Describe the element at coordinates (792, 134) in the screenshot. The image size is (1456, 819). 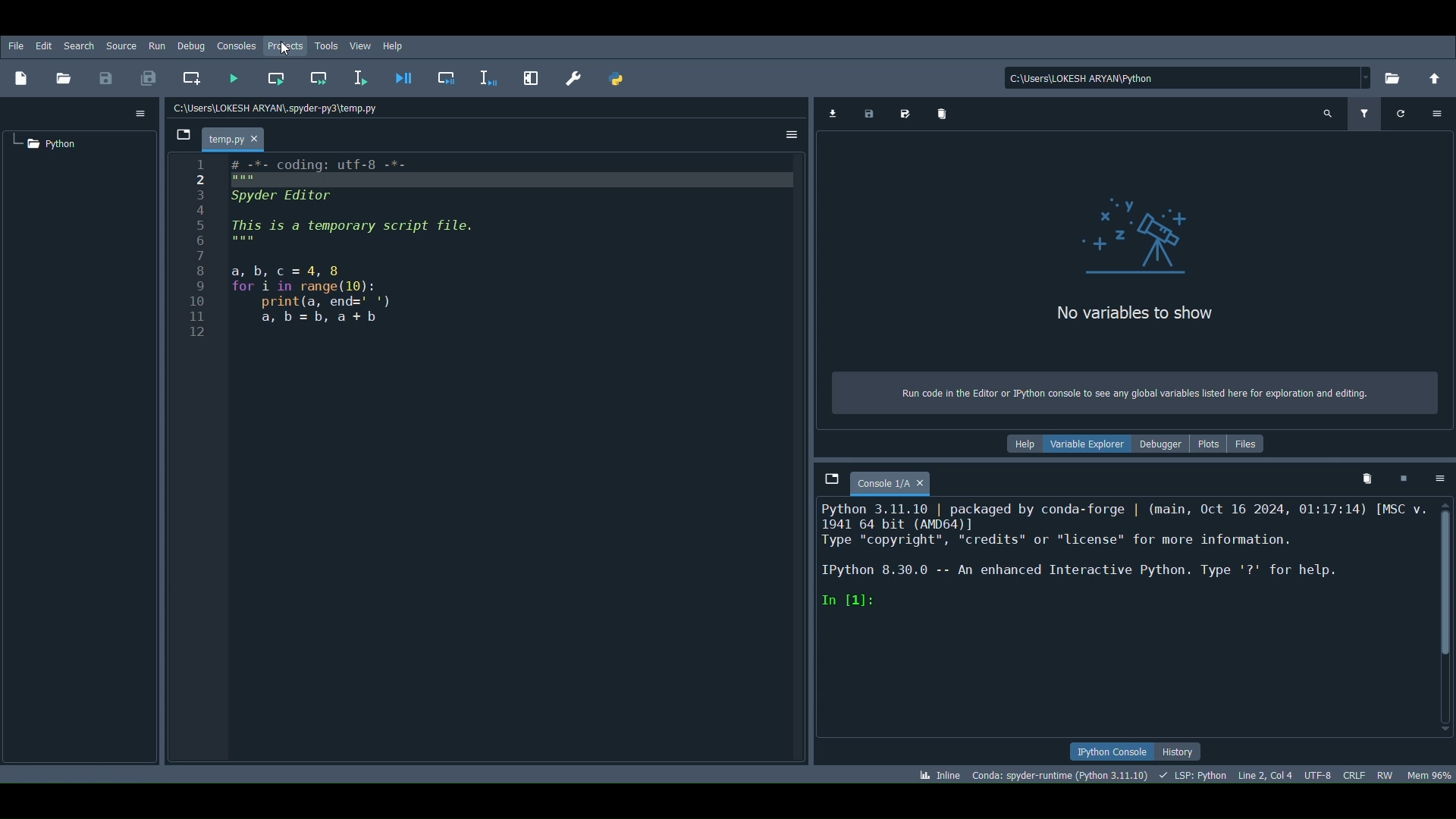
I see `Options` at that location.